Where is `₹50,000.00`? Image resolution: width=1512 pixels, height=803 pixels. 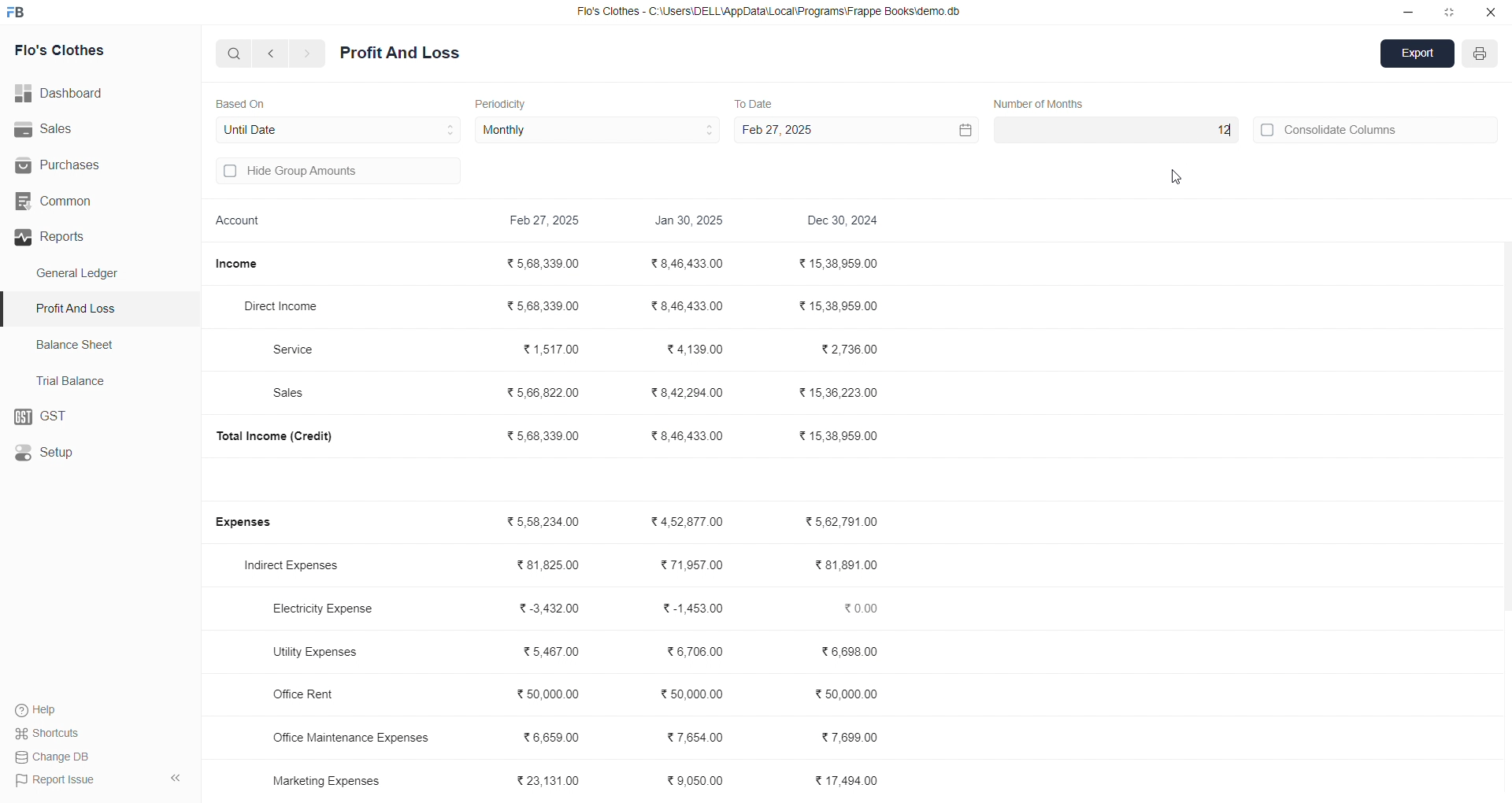 ₹50,000.00 is located at coordinates (849, 696).